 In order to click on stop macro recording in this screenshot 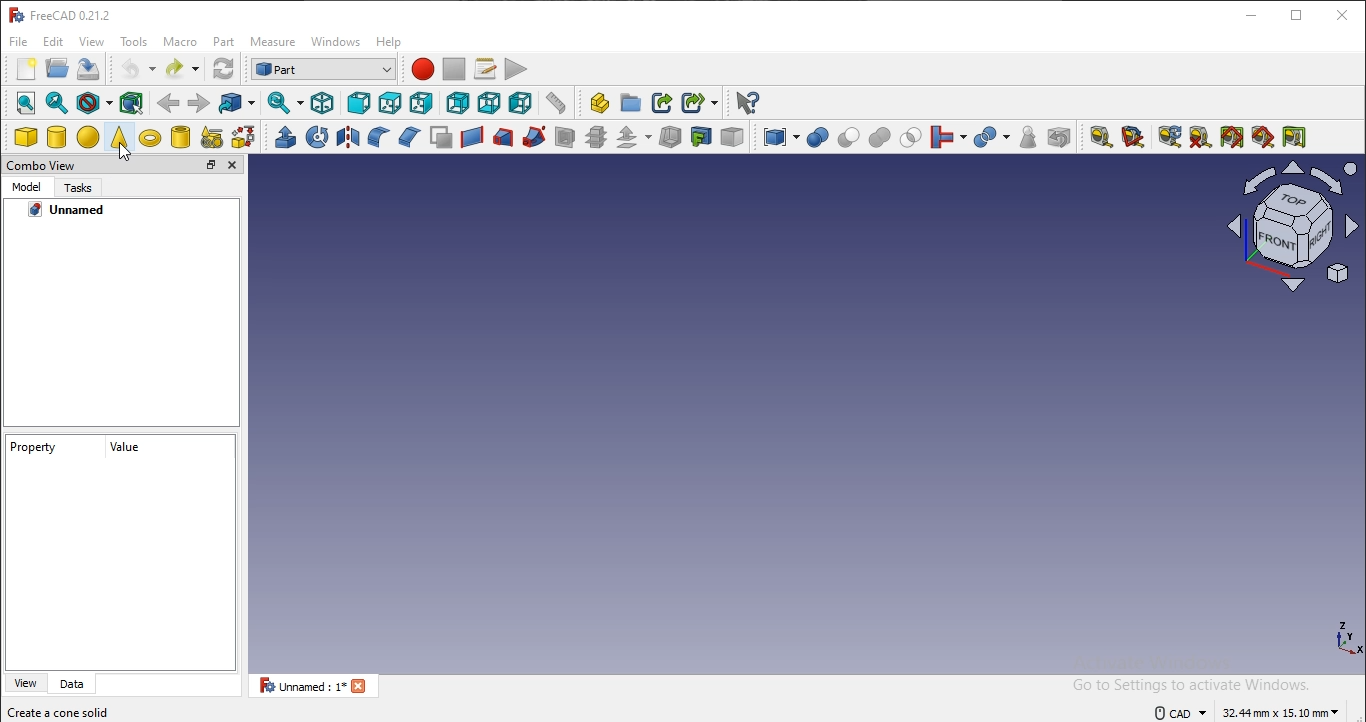, I will do `click(454, 67)`.